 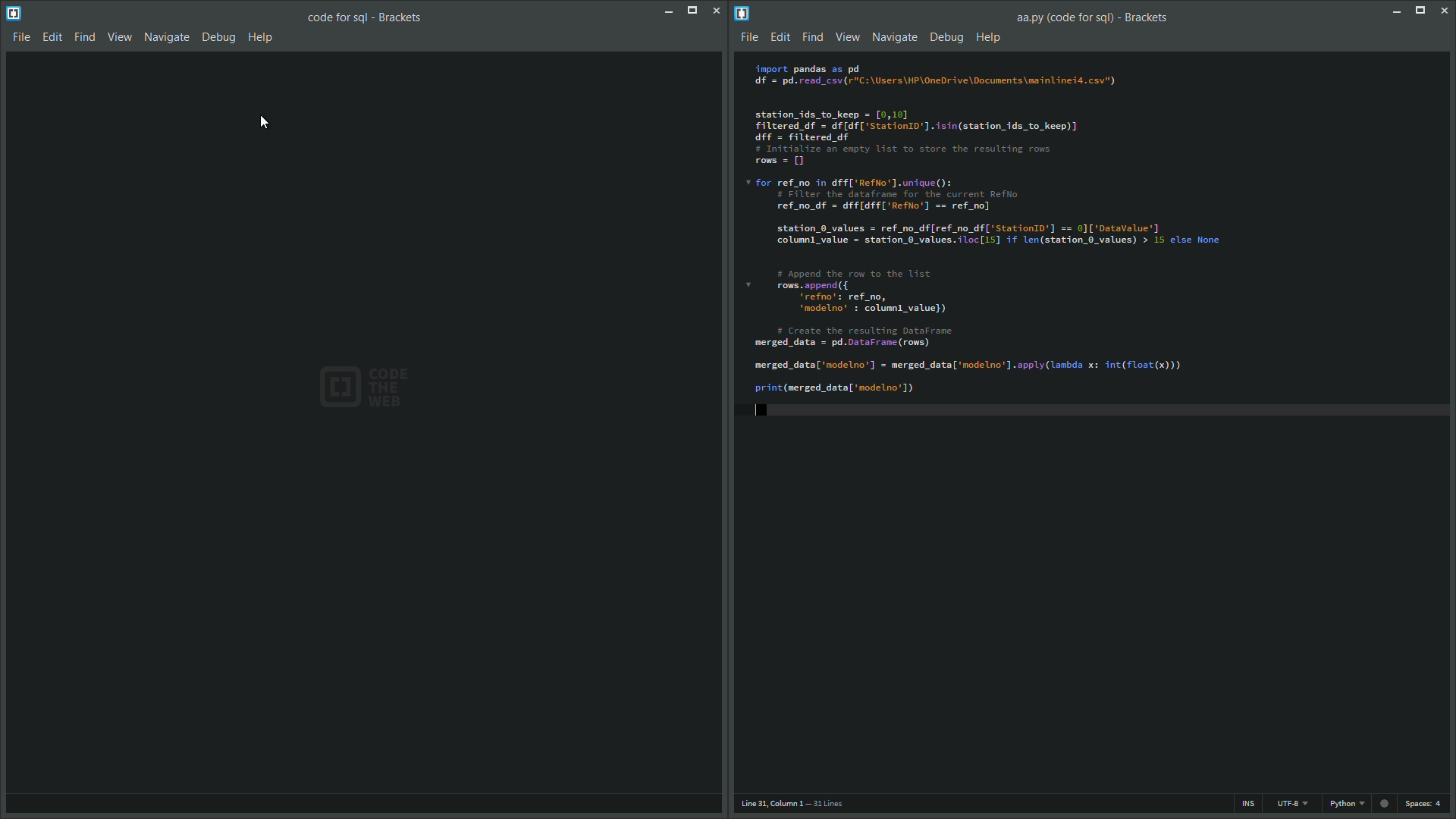 What do you see at coordinates (1246, 804) in the screenshot?
I see `INS` at bounding box center [1246, 804].